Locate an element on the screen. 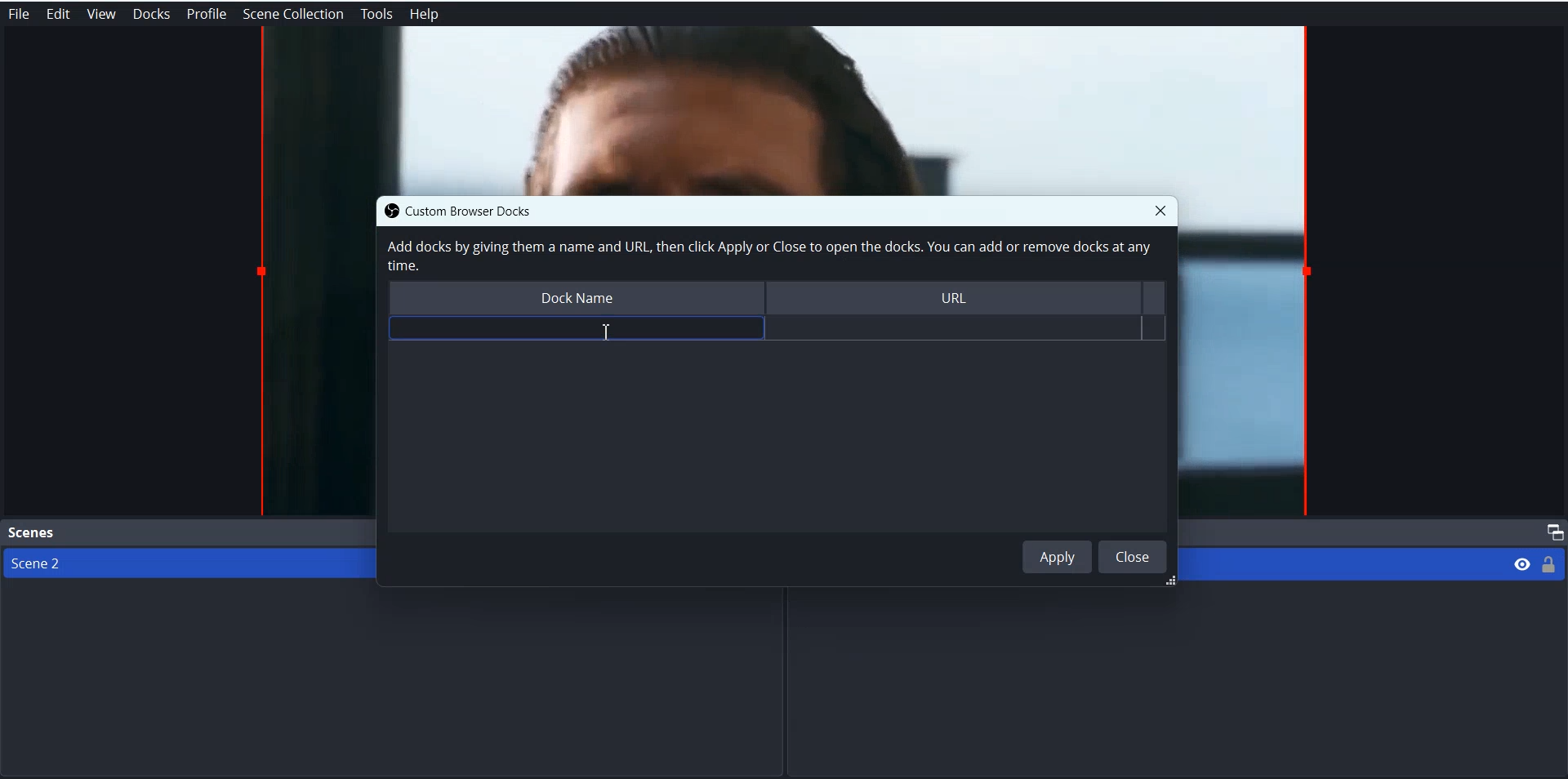 This screenshot has height=779, width=1568. Dock Name is located at coordinates (574, 300).